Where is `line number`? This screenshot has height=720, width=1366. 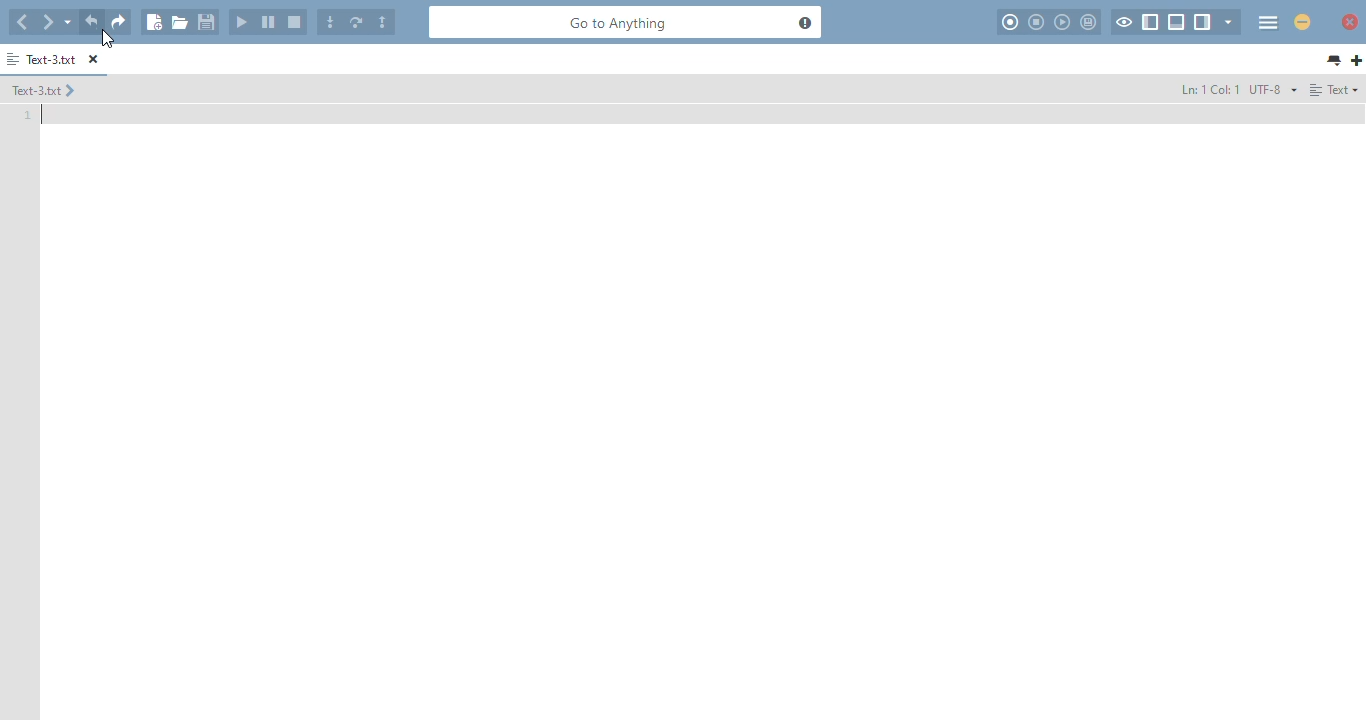
line number is located at coordinates (28, 116).